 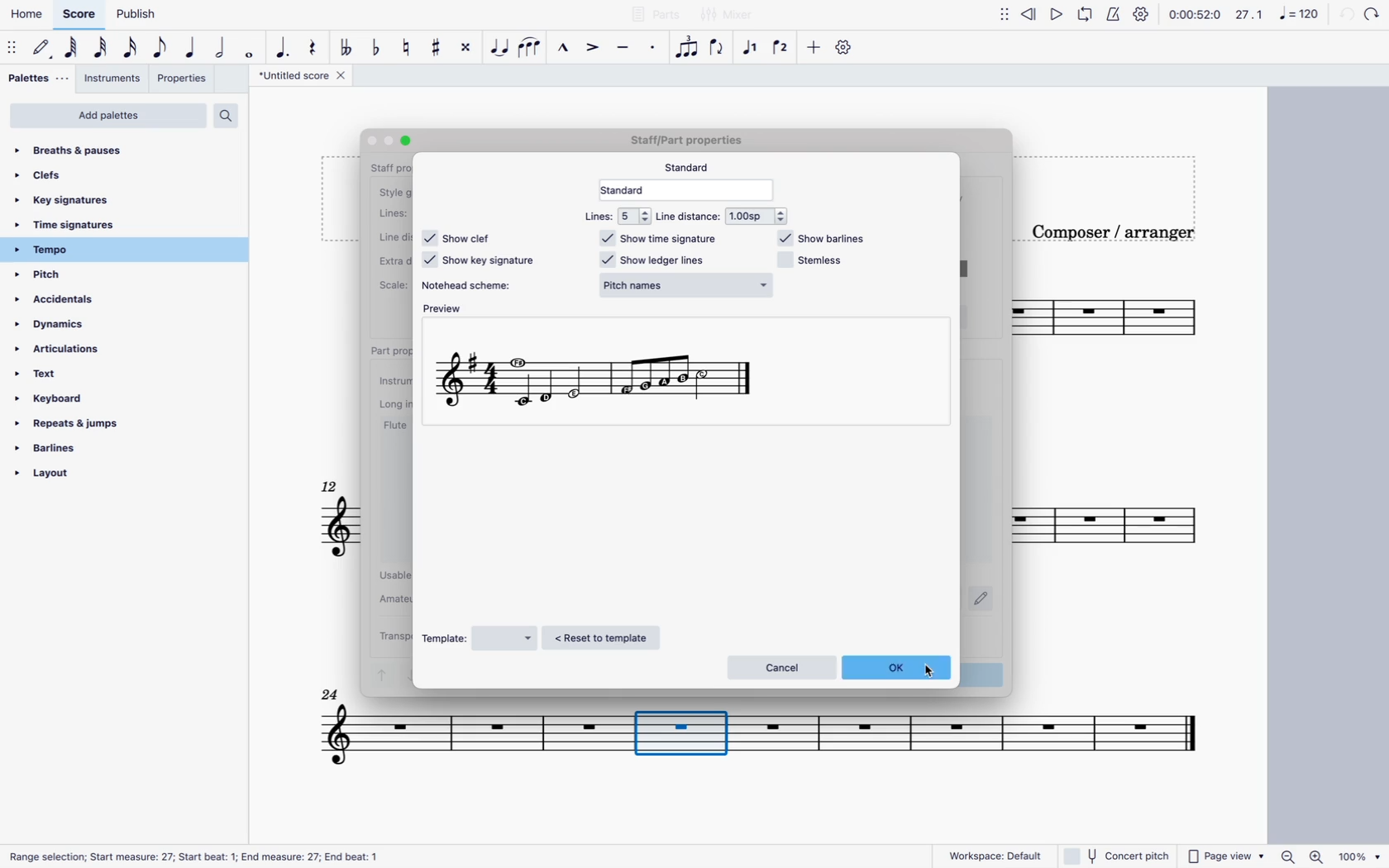 What do you see at coordinates (69, 374) in the screenshot?
I see `text` at bounding box center [69, 374].